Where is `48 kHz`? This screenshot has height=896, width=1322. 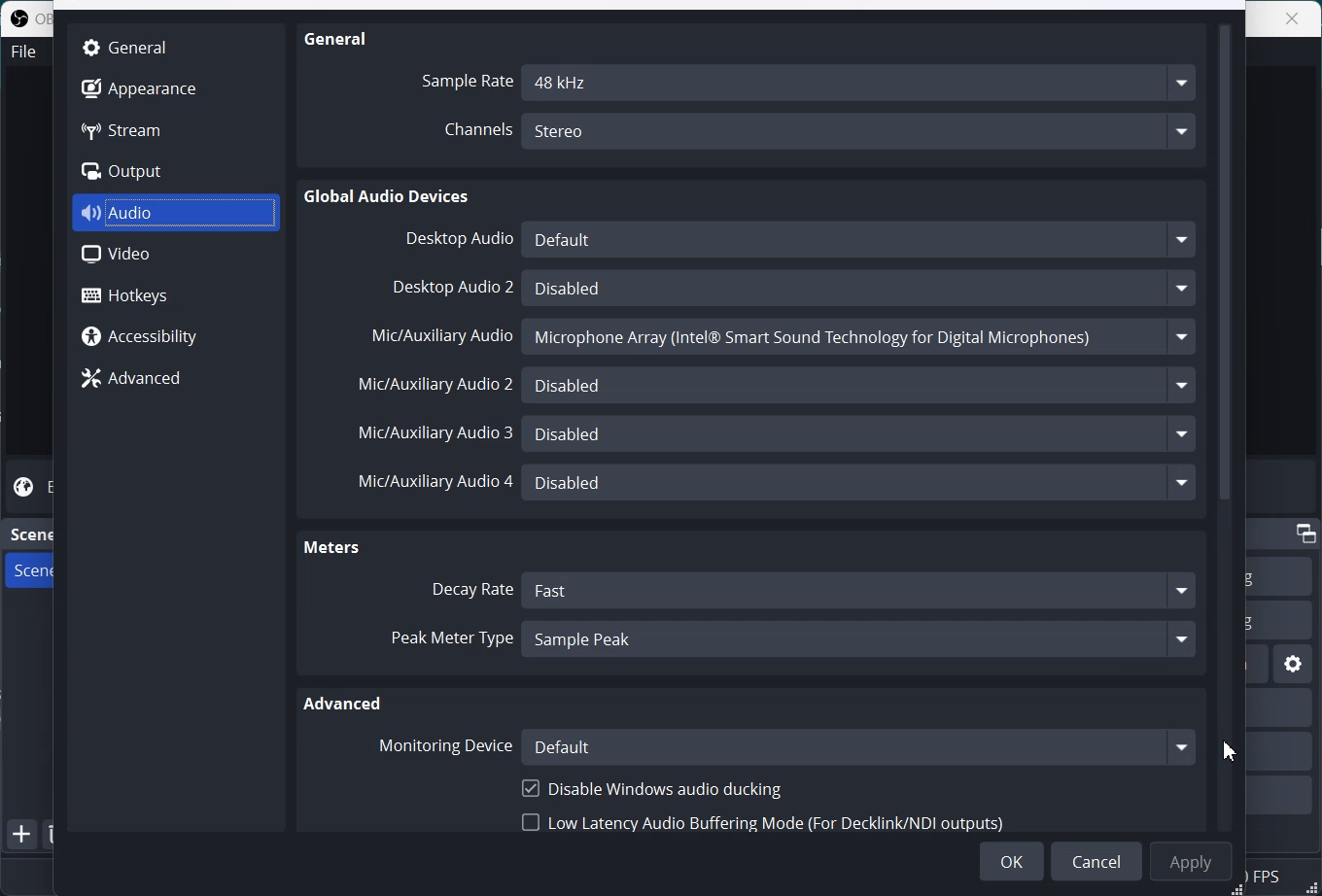 48 kHz is located at coordinates (862, 83).